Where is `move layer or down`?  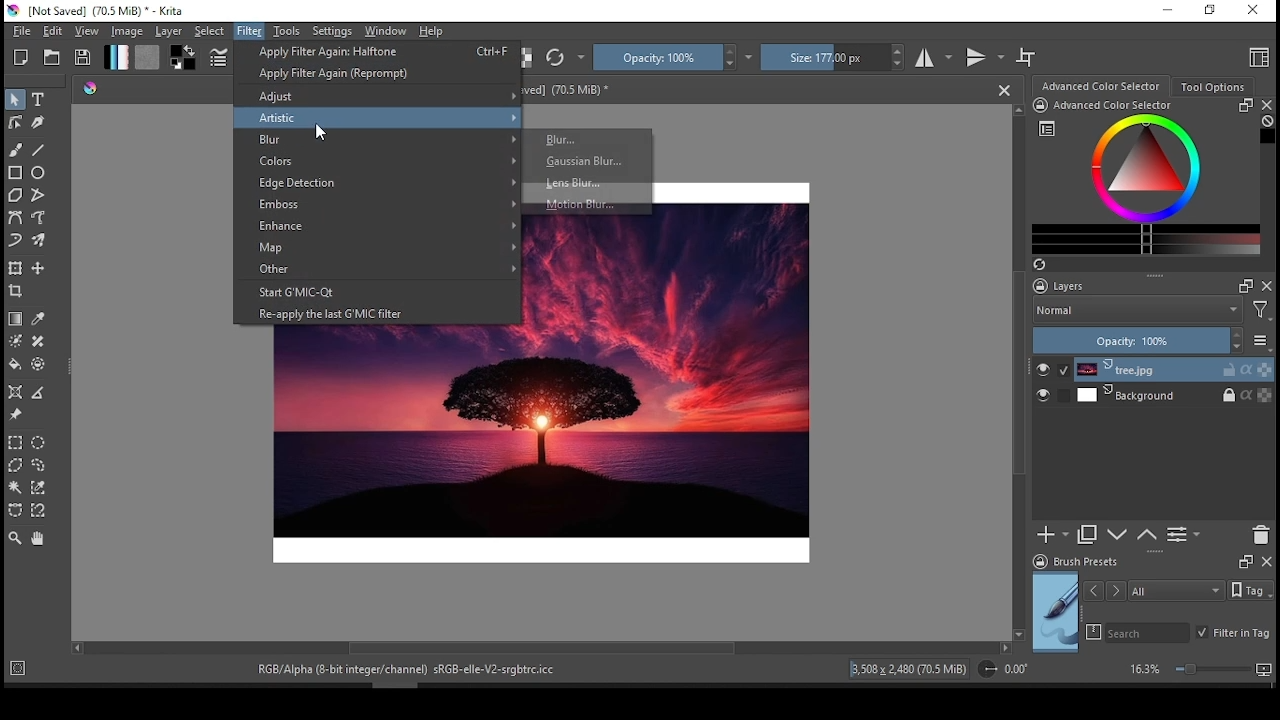 move layer or down is located at coordinates (1118, 537).